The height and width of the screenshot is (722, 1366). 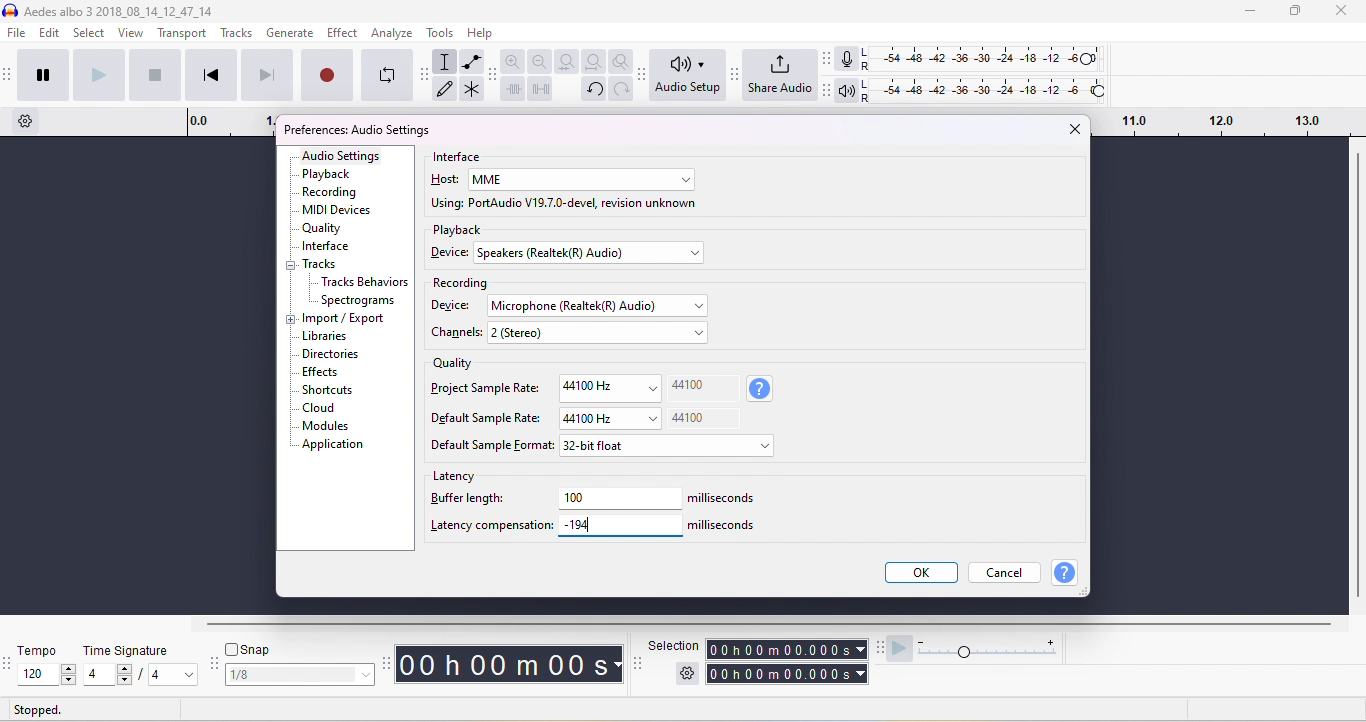 What do you see at coordinates (1006, 571) in the screenshot?
I see `cancel` at bounding box center [1006, 571].